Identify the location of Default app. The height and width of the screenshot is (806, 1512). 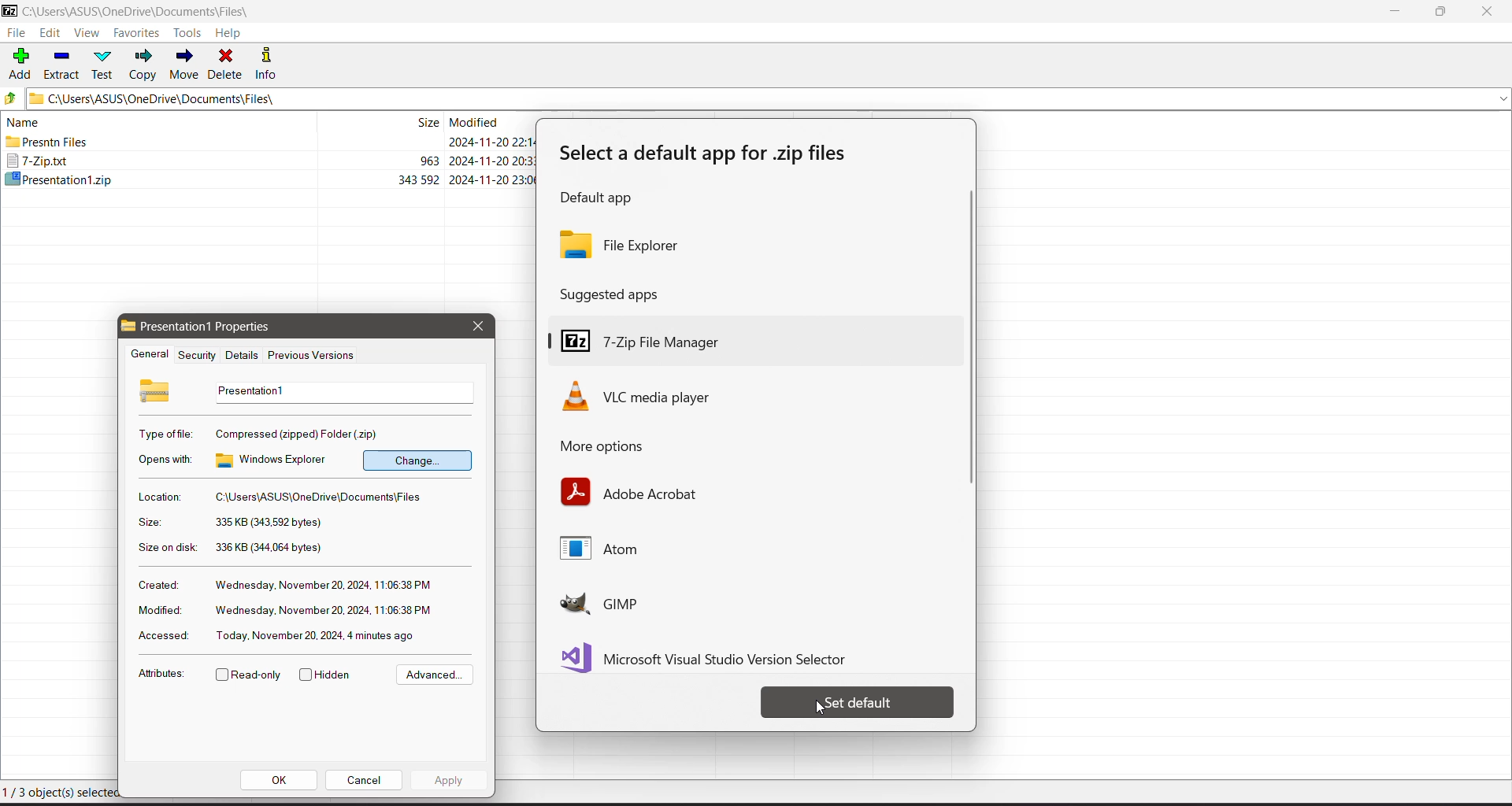
(602, 199).